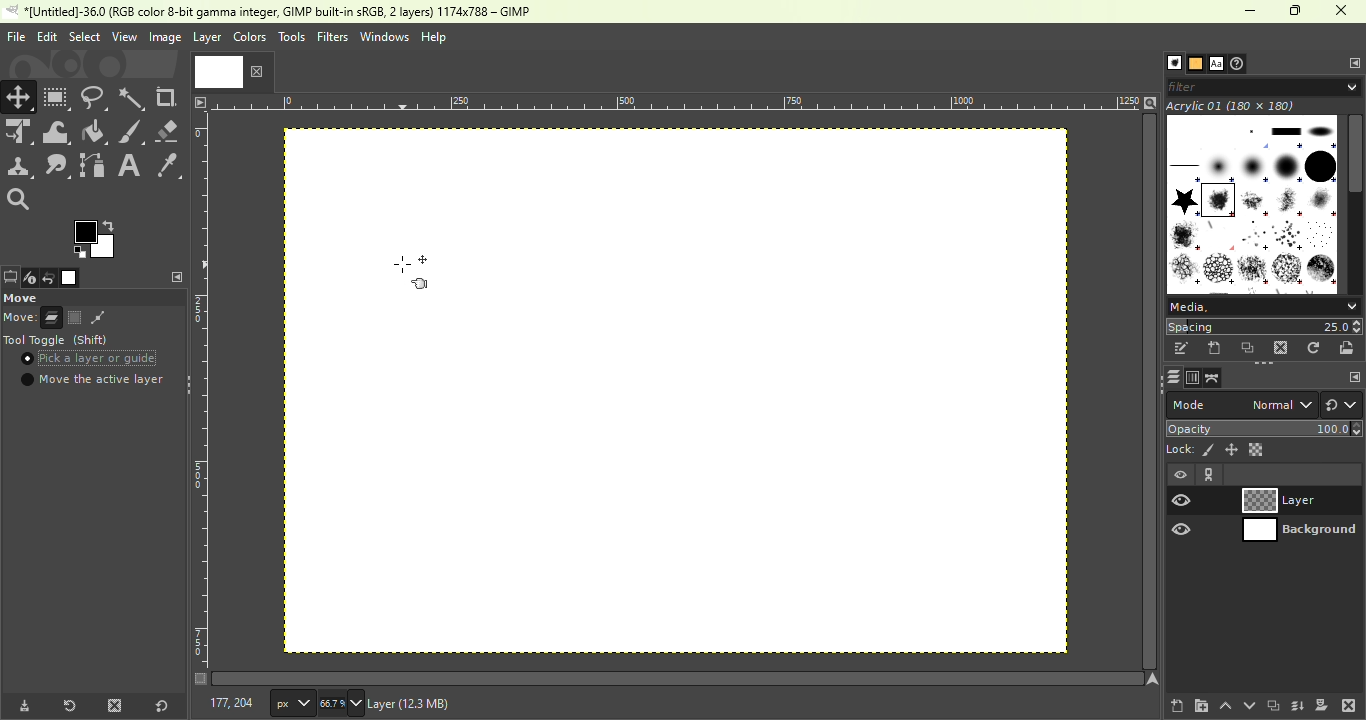 The image size is (1366, 720). Describe the element at coordinates (169, 98) in the screenshot. I see `Crop tool` at that location.